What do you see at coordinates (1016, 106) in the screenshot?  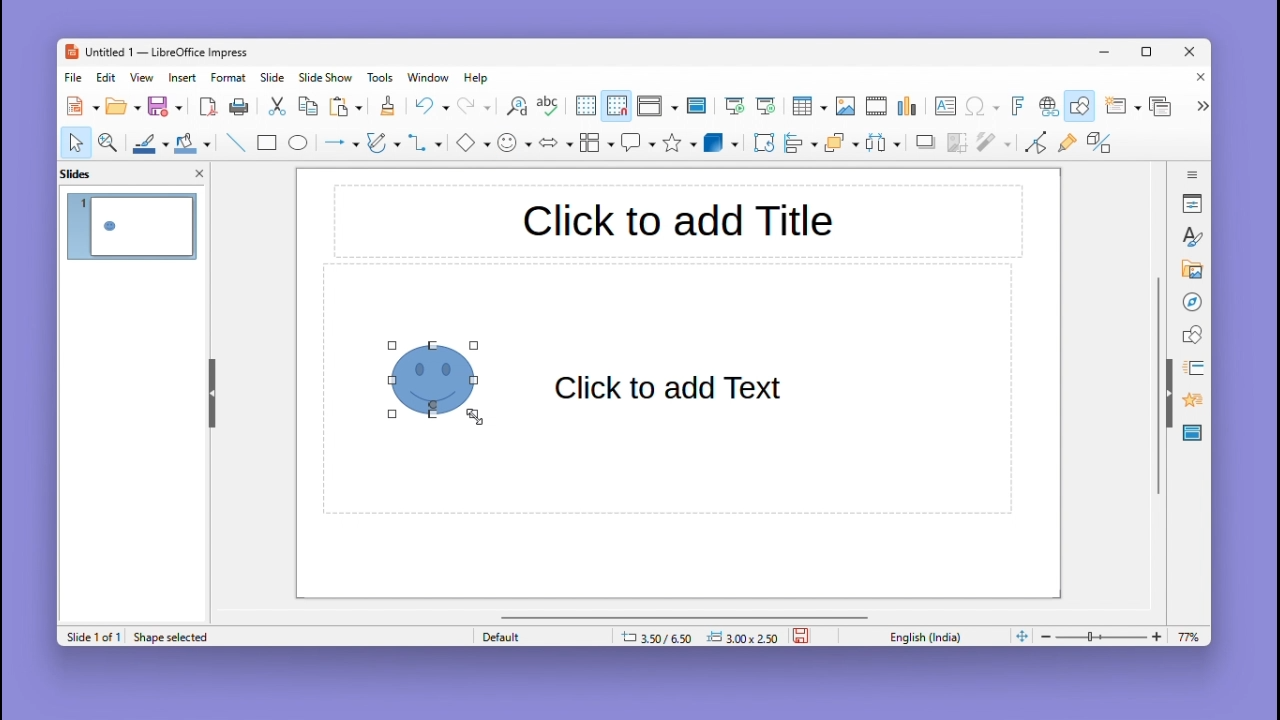 I see `Font work` at bounding box center [1016, 106].